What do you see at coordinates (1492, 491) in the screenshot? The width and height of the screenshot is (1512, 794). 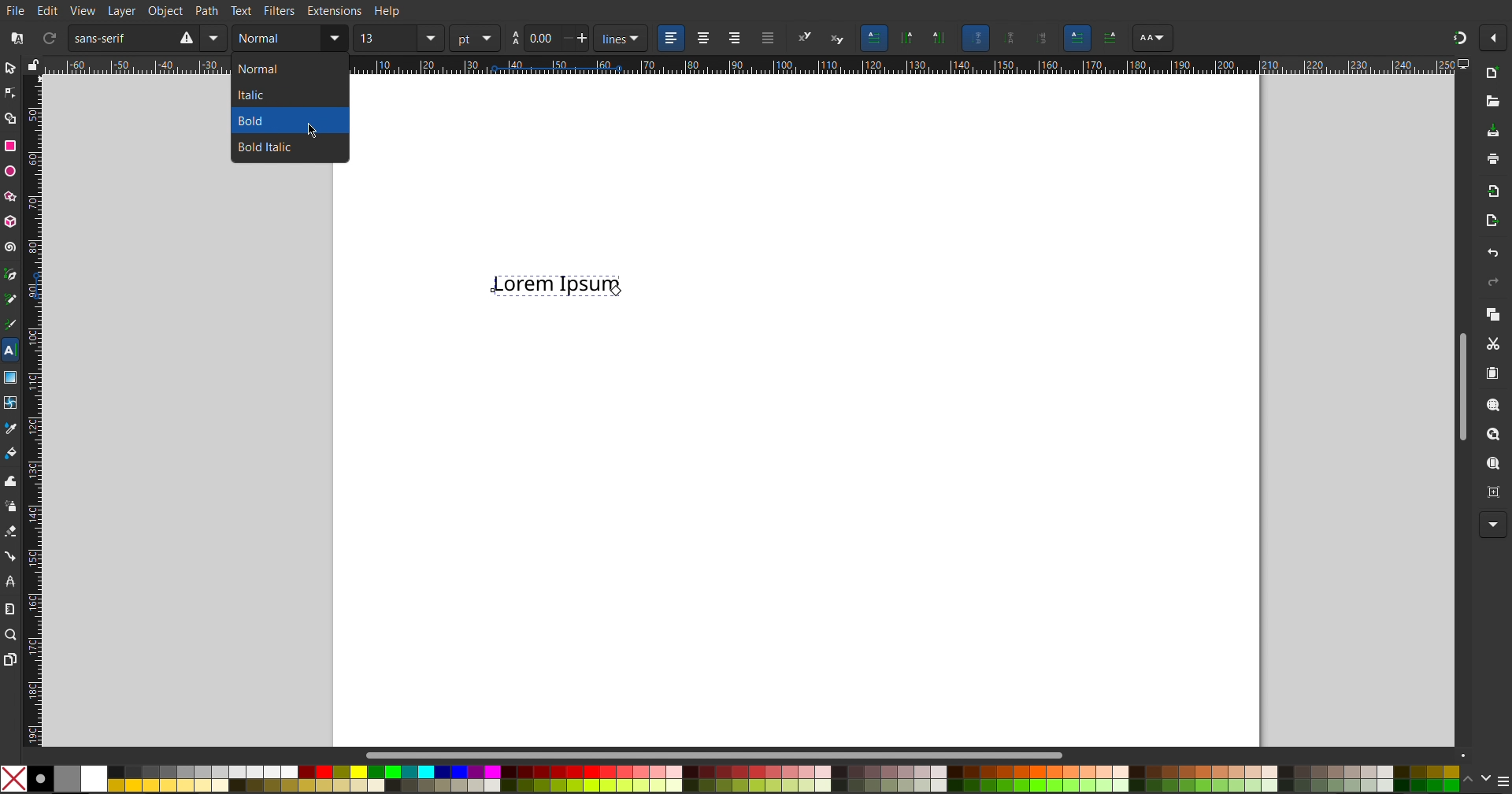 I see `Zoom Center Page` at bounding box center [1492, 491].